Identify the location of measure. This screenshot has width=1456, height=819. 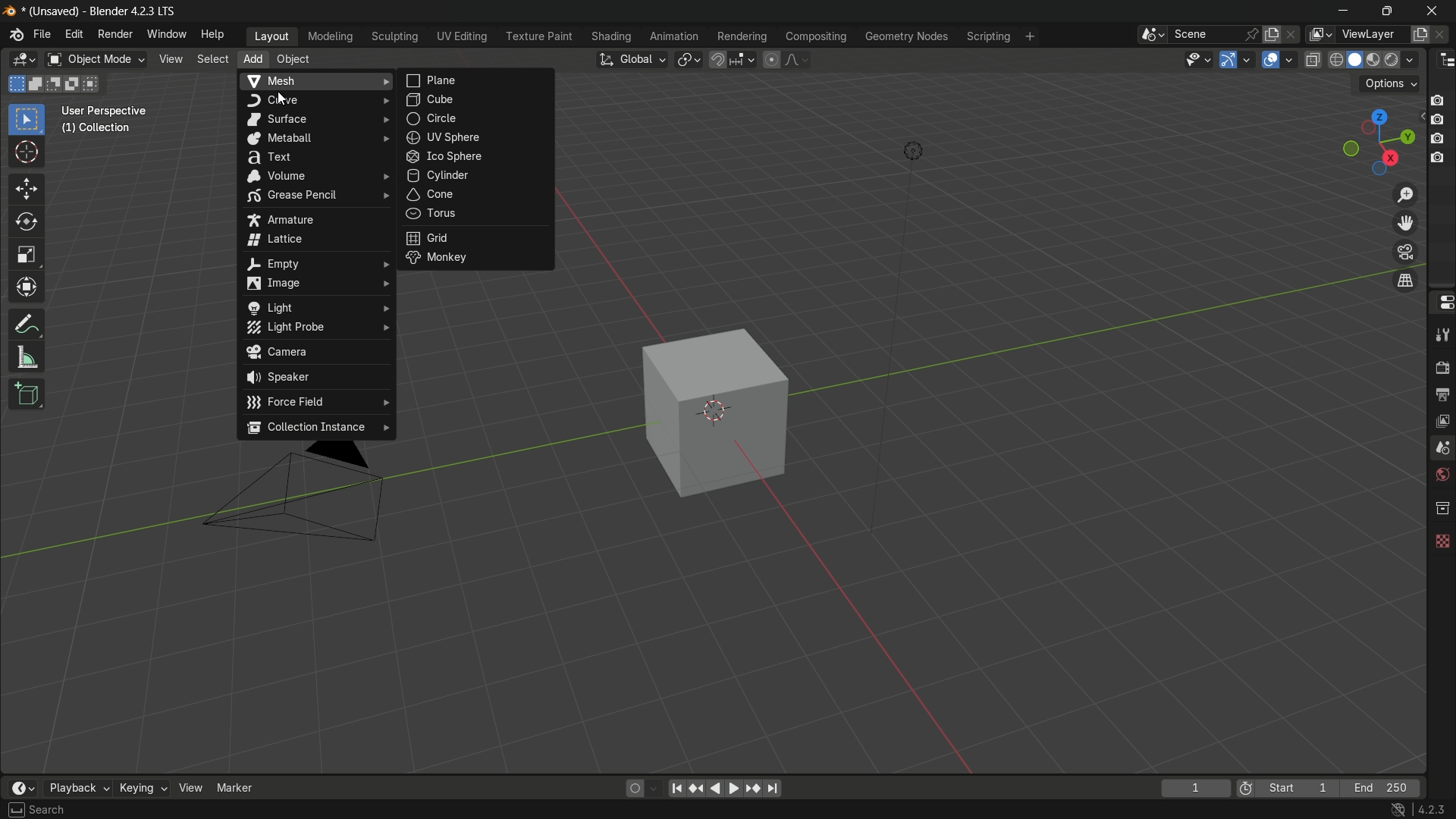
(27, 358).